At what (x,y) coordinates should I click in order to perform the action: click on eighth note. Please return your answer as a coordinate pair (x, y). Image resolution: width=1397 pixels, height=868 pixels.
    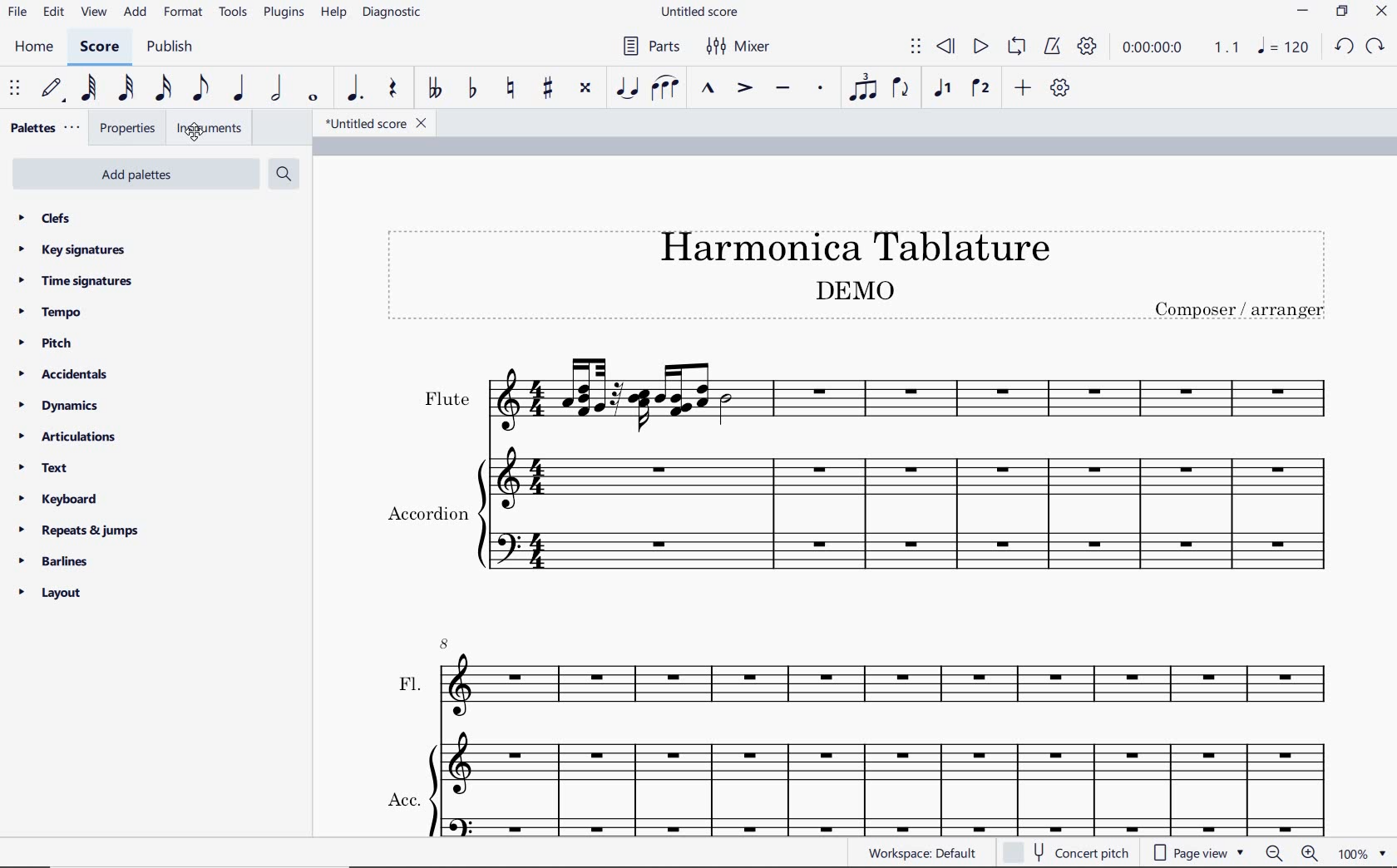
    Looking at the image, I should click on (198, 90).